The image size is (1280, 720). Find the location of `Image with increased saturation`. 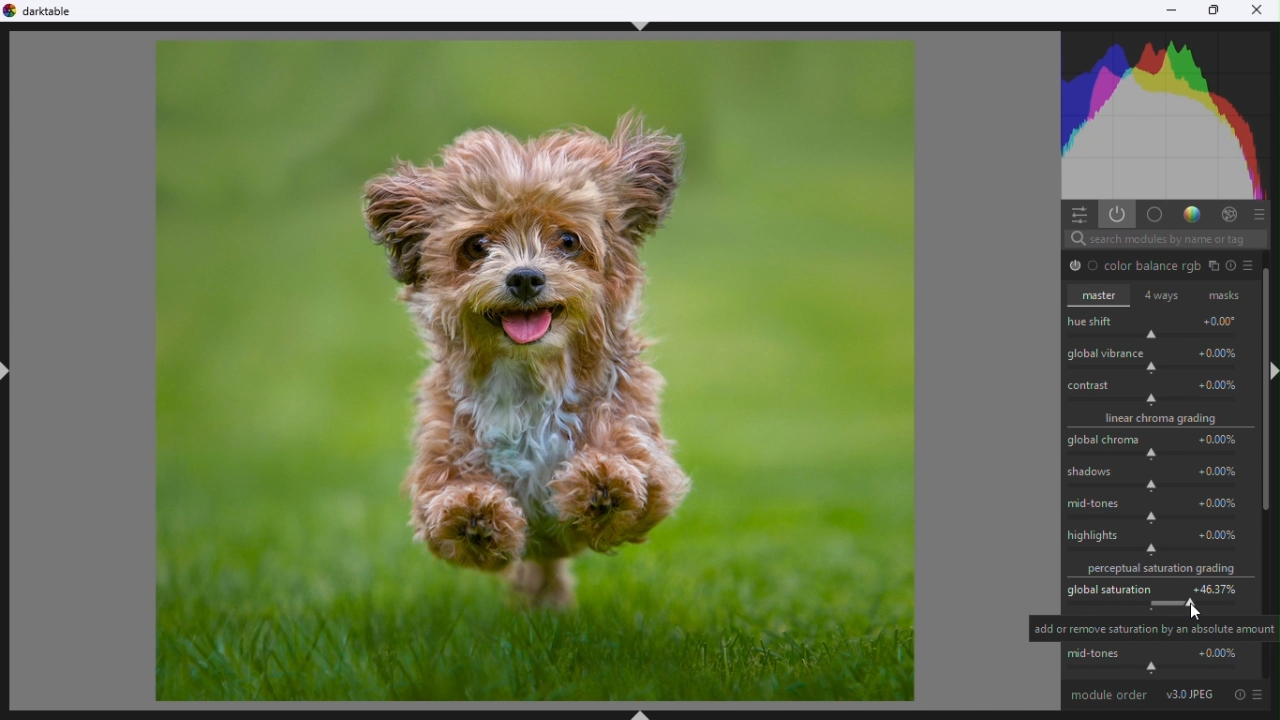

Image with increased saturation is located at coordinates (533, 371).